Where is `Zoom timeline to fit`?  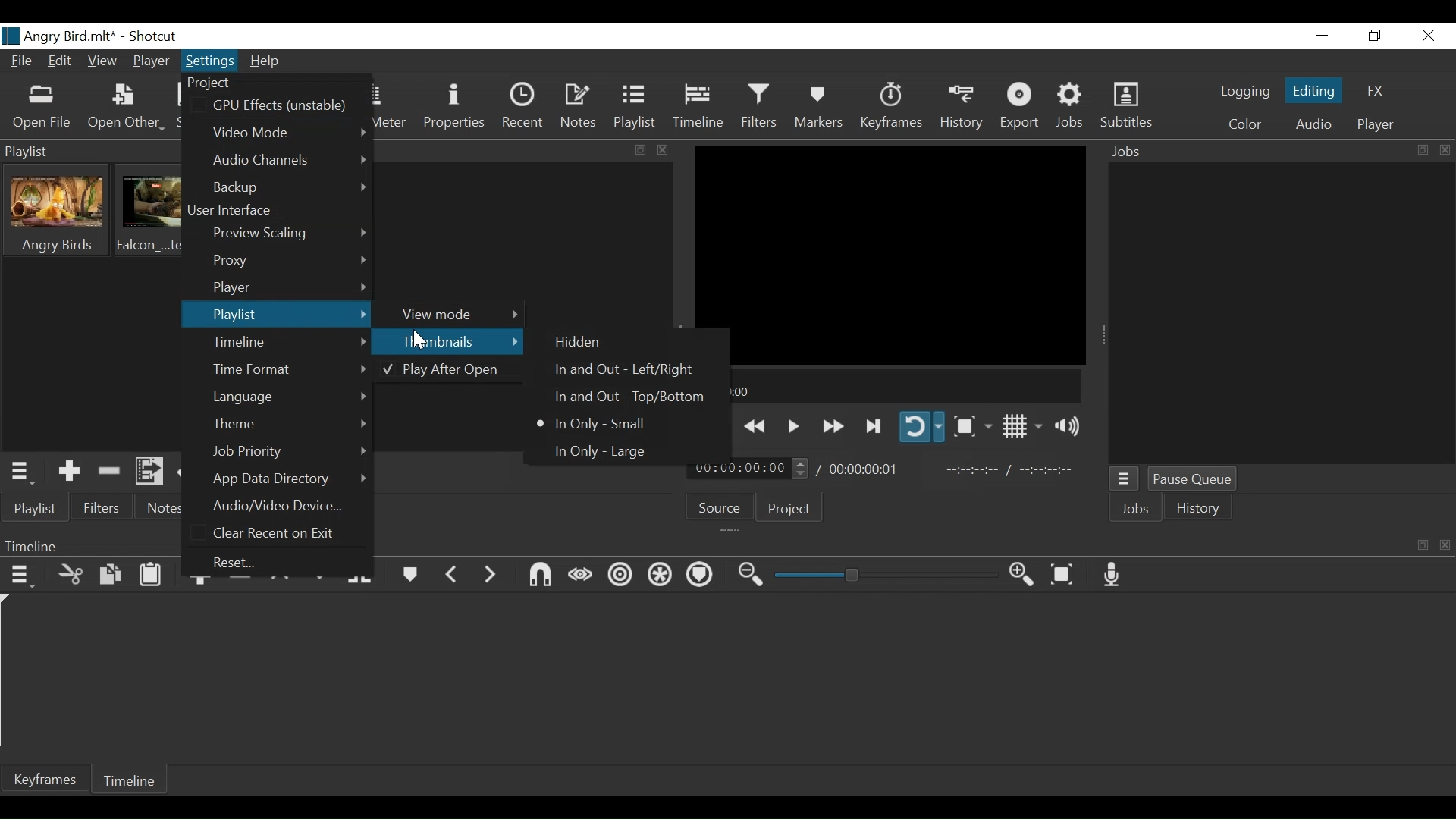
Zoom timeline to fit is located at coordinates (1064, 575).